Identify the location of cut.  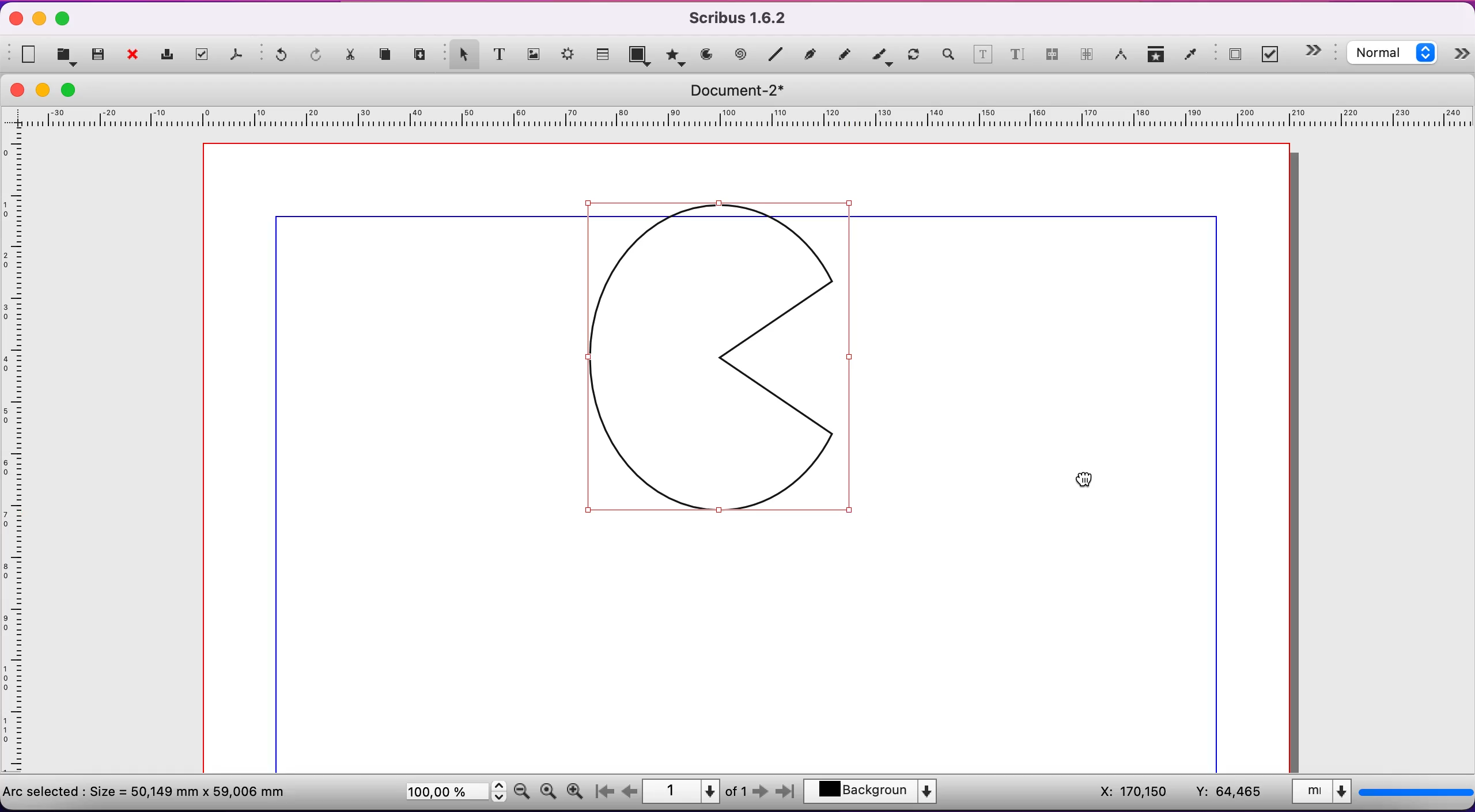
(352, 58).